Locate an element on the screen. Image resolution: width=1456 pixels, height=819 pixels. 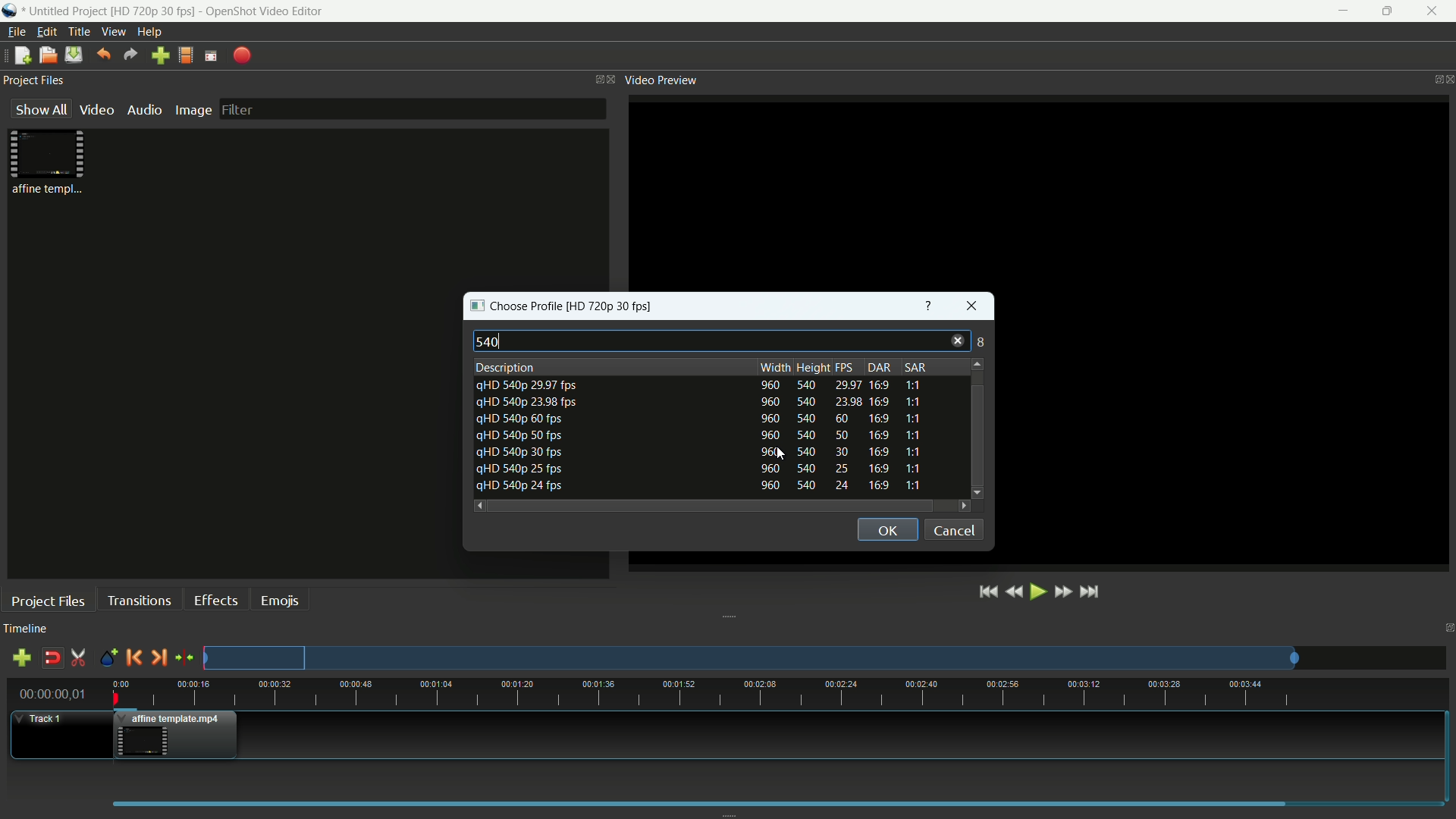
profile-7 is located at coordinates (701, 485).